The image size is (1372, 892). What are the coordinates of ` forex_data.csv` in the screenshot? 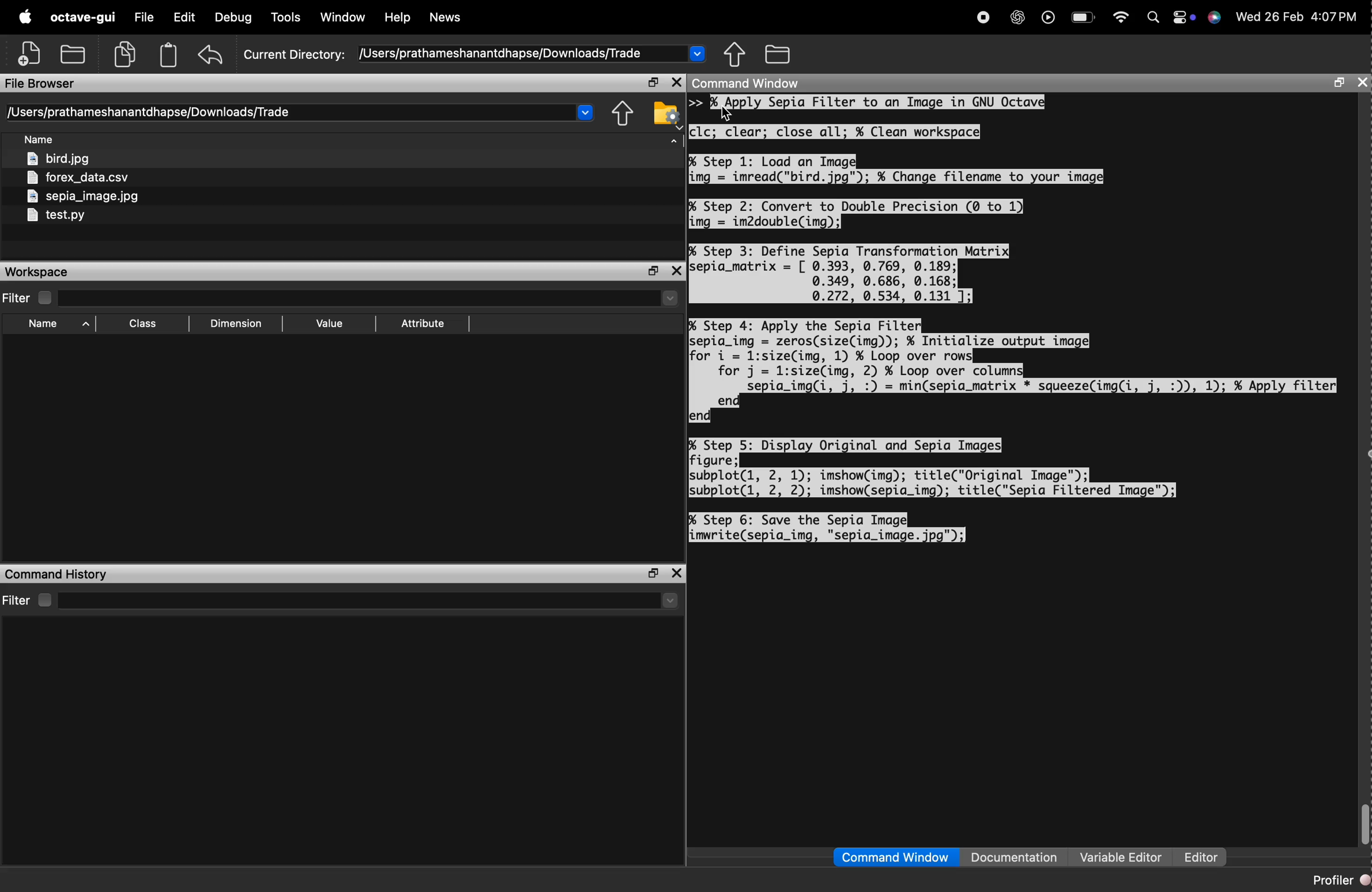 It's located at (77, 176).